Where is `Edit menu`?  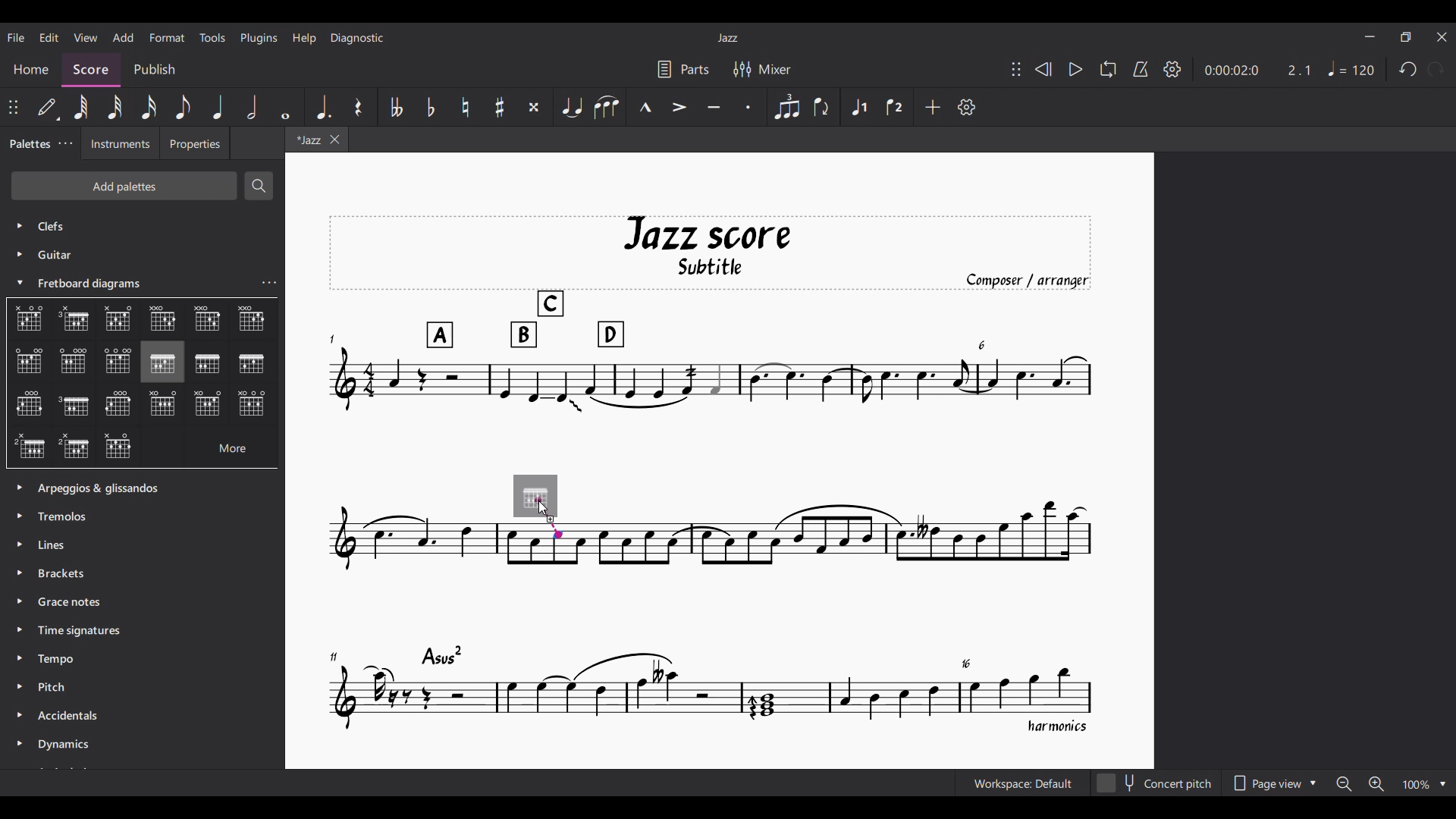 Edit menu is located at coordinates (49, 37).